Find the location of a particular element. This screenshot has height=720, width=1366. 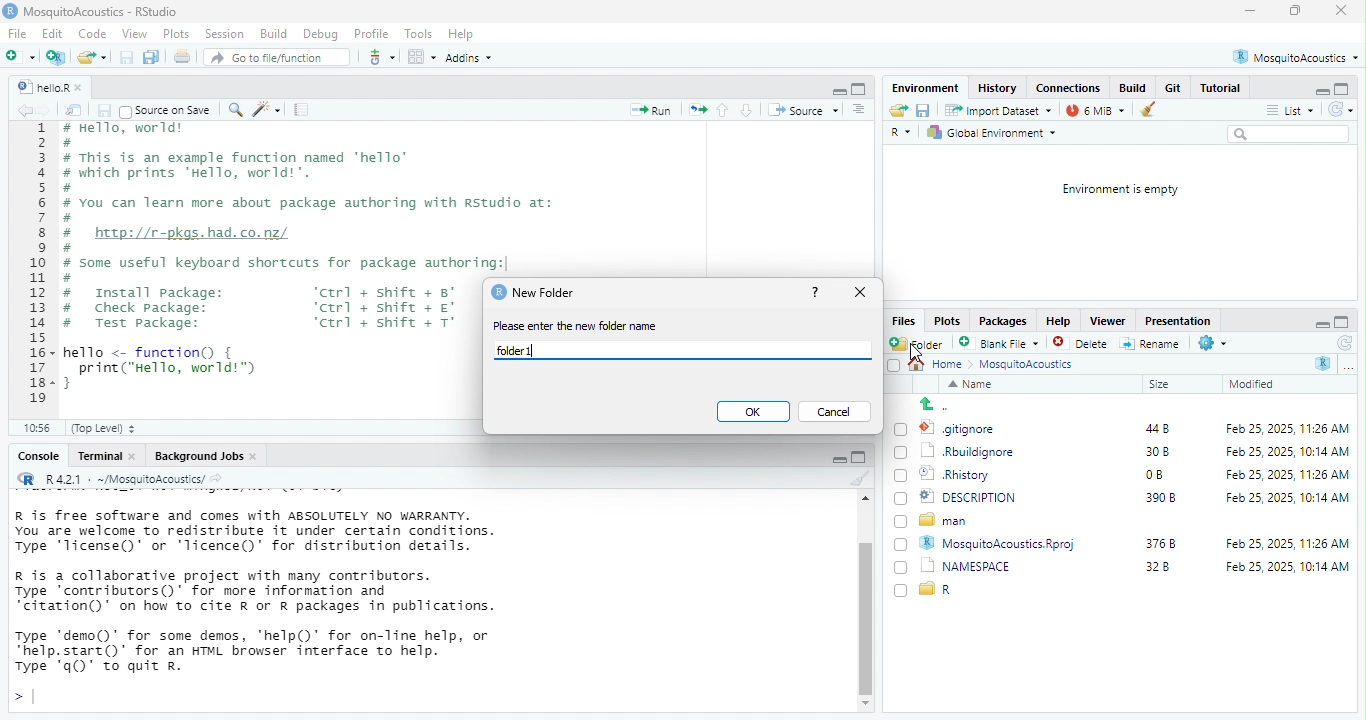

help is located at coordinates (815, 293).